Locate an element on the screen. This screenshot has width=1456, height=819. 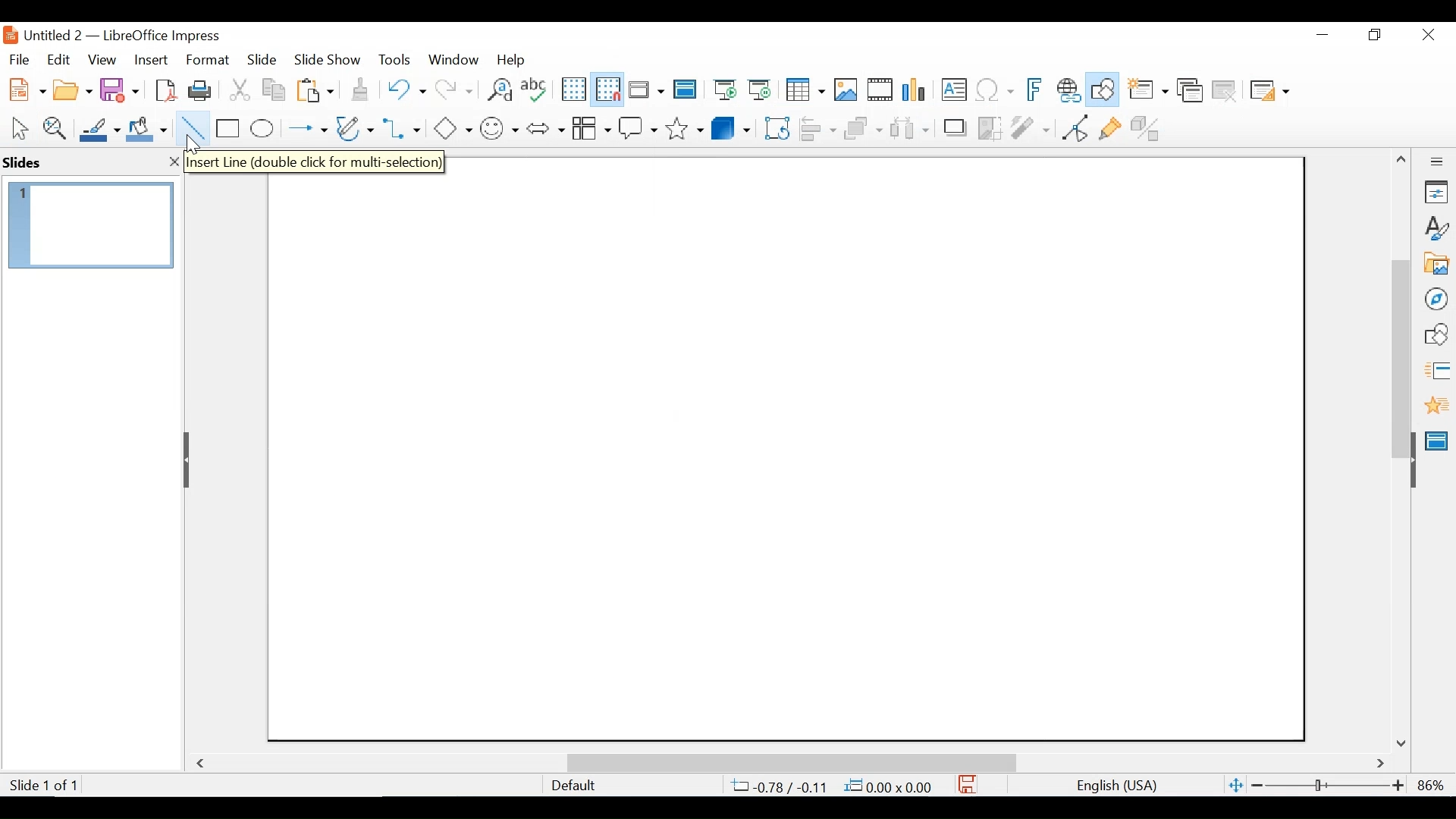
Horizontal Scrollbar is located at coordinates (790, 762).